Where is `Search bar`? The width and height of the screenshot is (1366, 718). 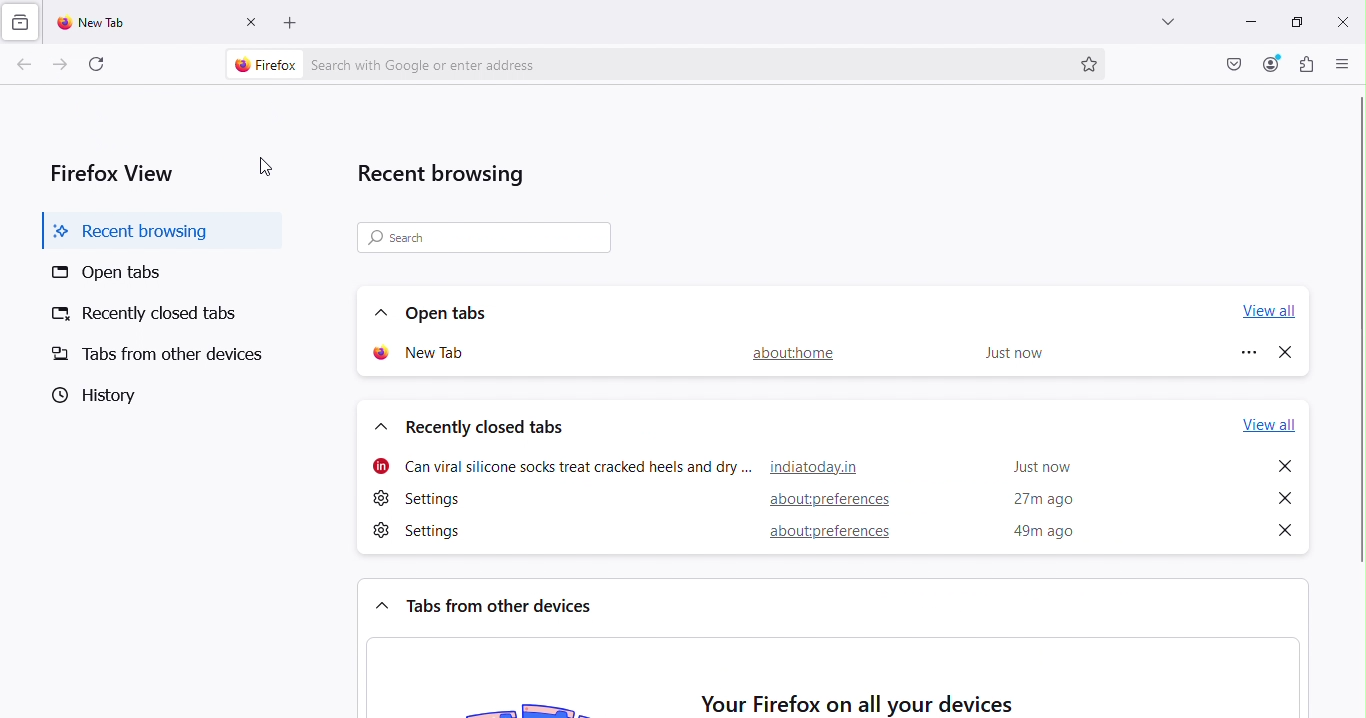 Search bar is located at coordinates (485, 238).